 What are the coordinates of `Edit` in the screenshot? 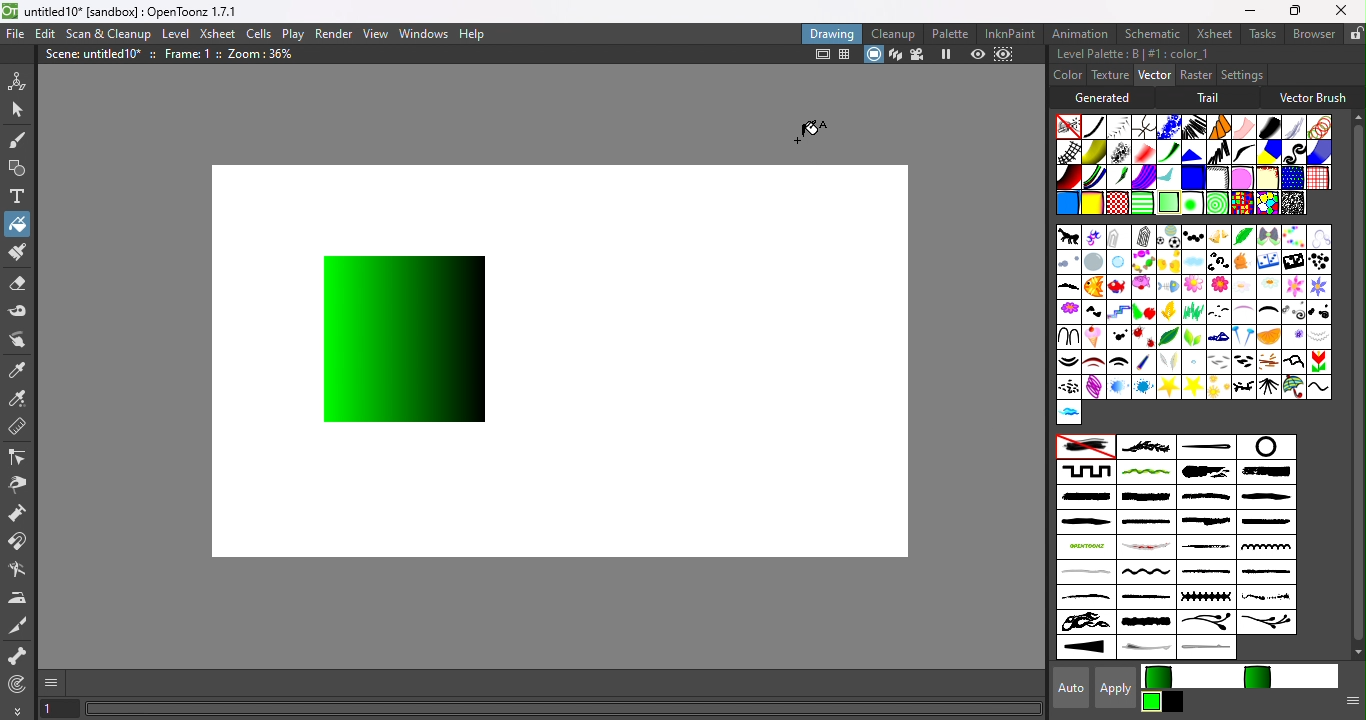 It's located at (43, 35).